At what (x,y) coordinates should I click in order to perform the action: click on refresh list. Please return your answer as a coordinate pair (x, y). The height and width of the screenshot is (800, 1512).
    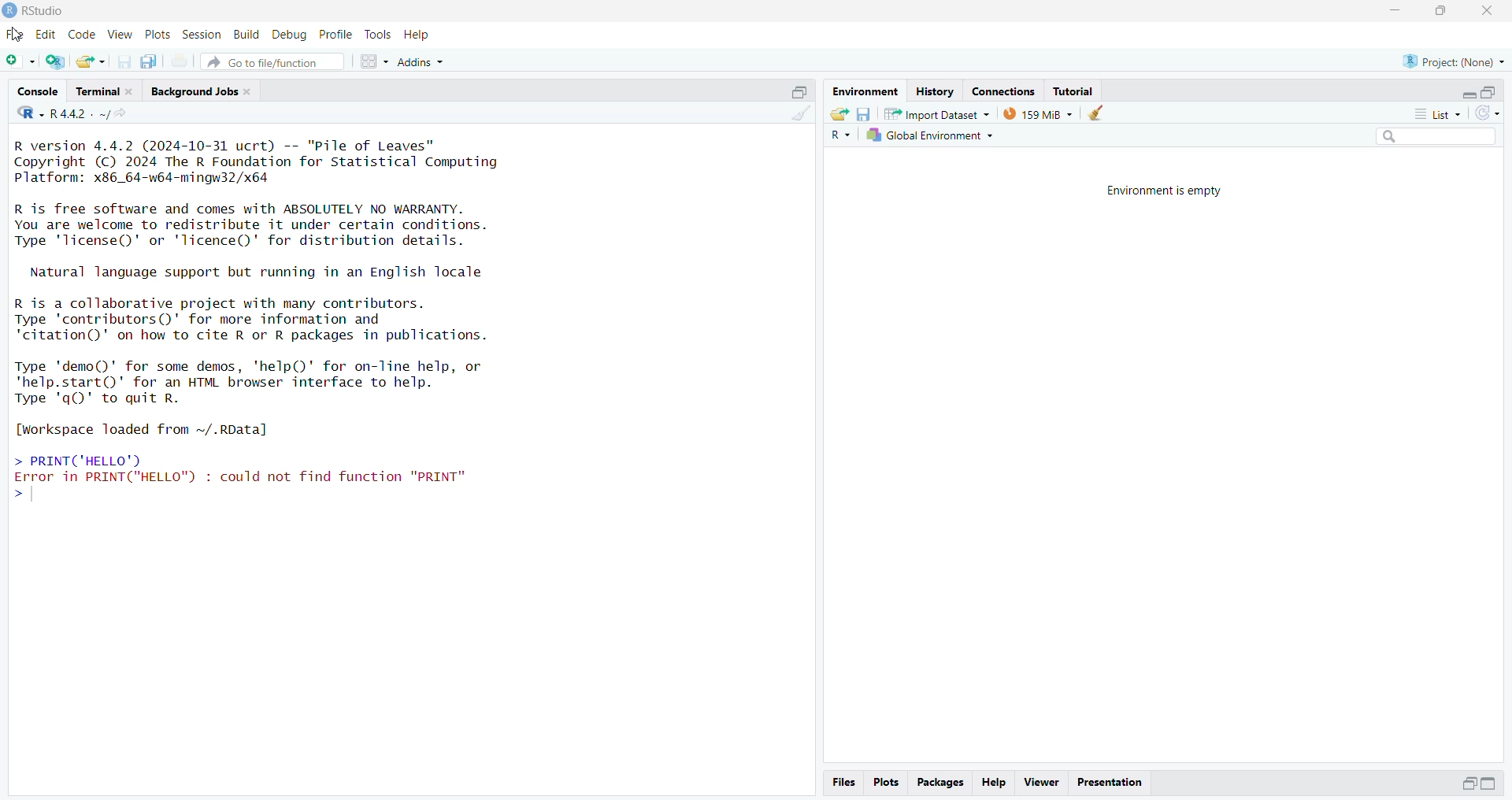
    Looking at the image, I should click on (1487, 114).